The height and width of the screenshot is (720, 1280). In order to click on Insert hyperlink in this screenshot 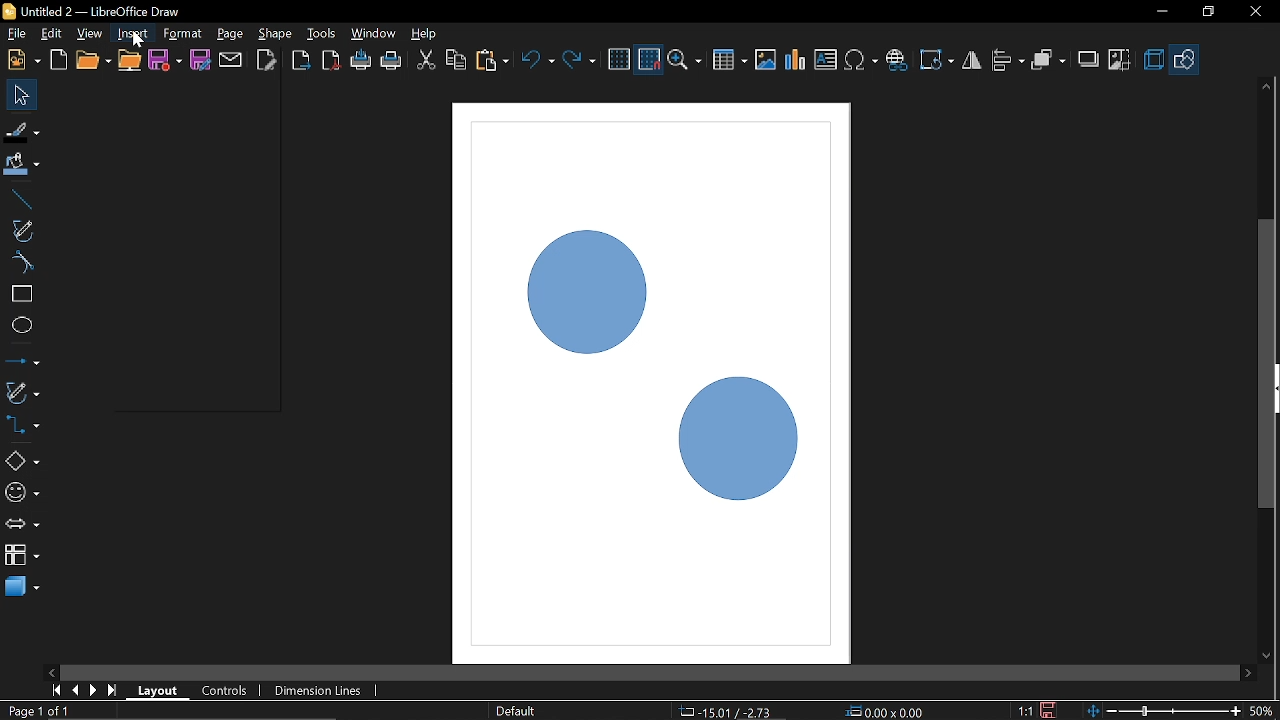, I will do `click(897, 60)`.